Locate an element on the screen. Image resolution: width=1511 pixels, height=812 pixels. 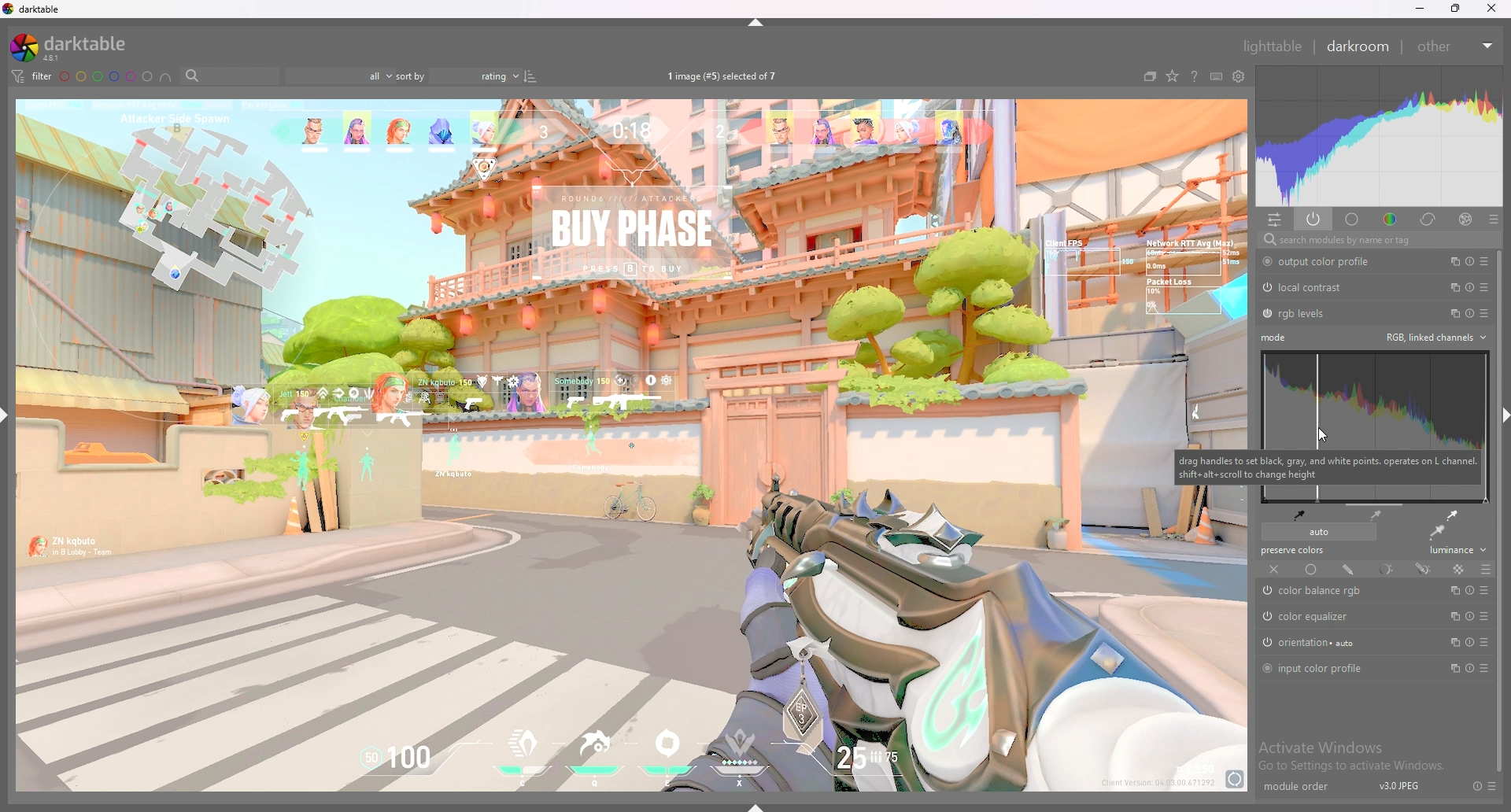
drawn and parametric mask is located at coordinates (1424, 568).